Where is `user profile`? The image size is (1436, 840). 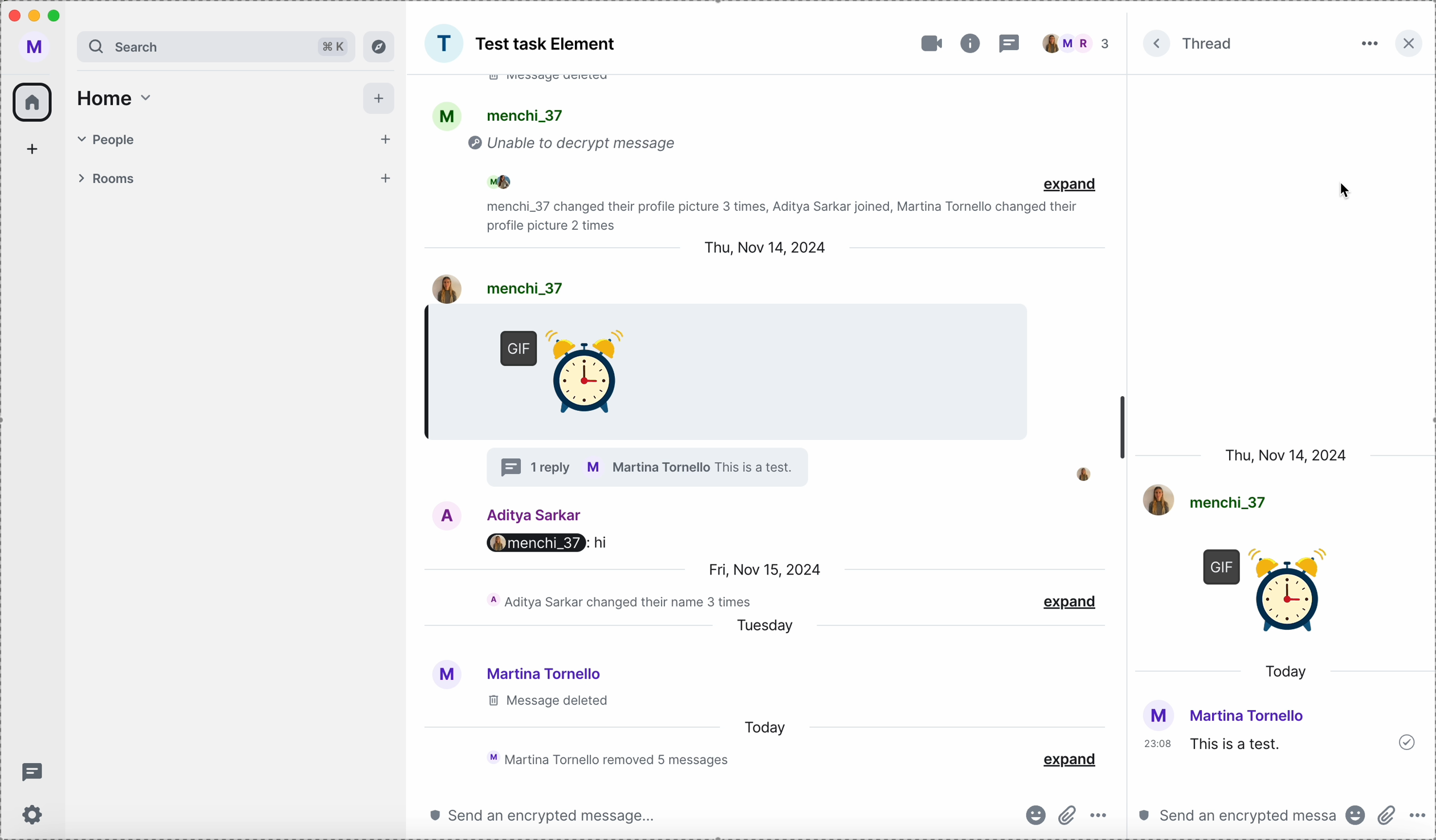 user profile is located at coordinates (38, 48).